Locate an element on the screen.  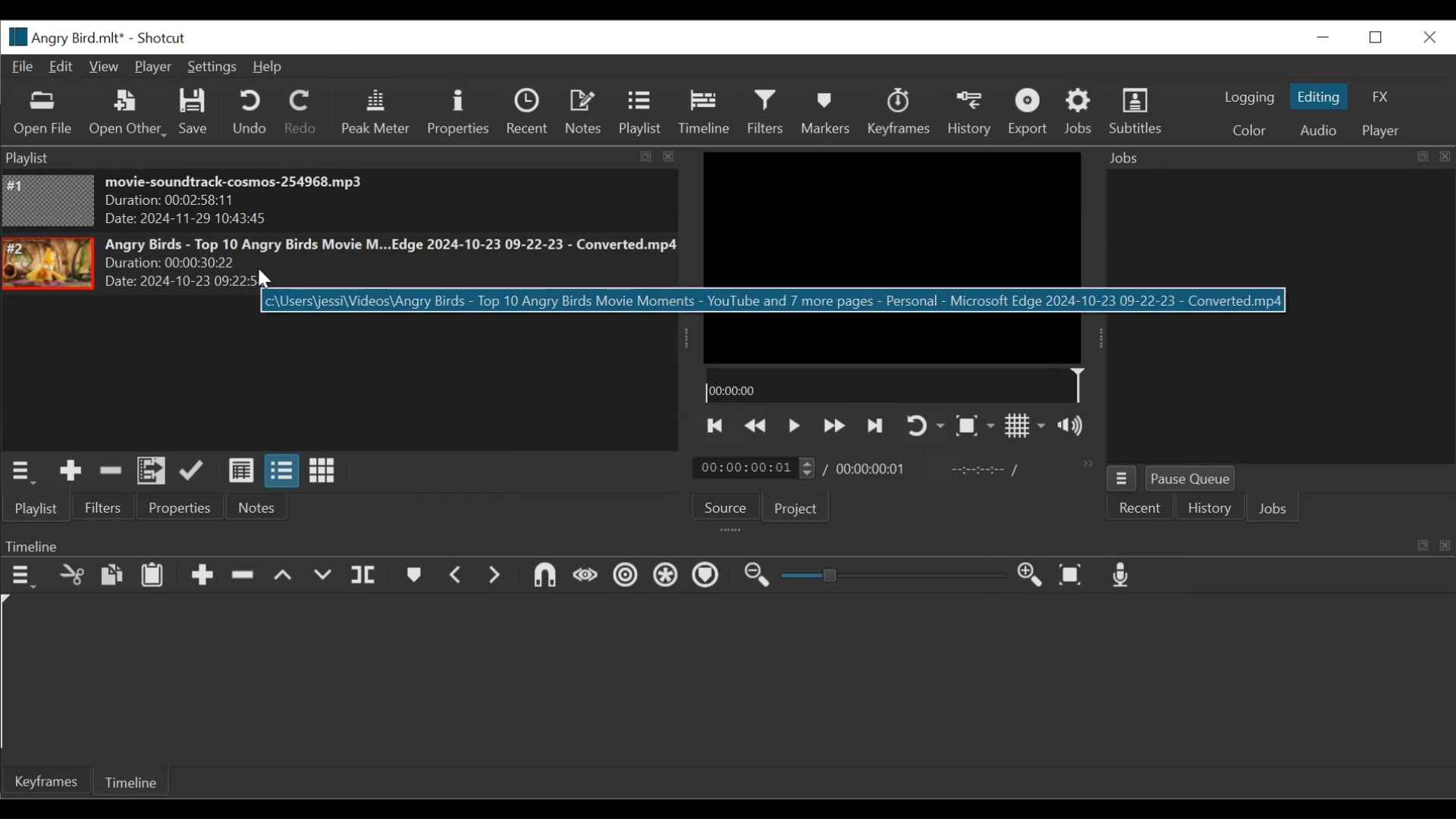
Next Marker is located at coordinates (492, 576).